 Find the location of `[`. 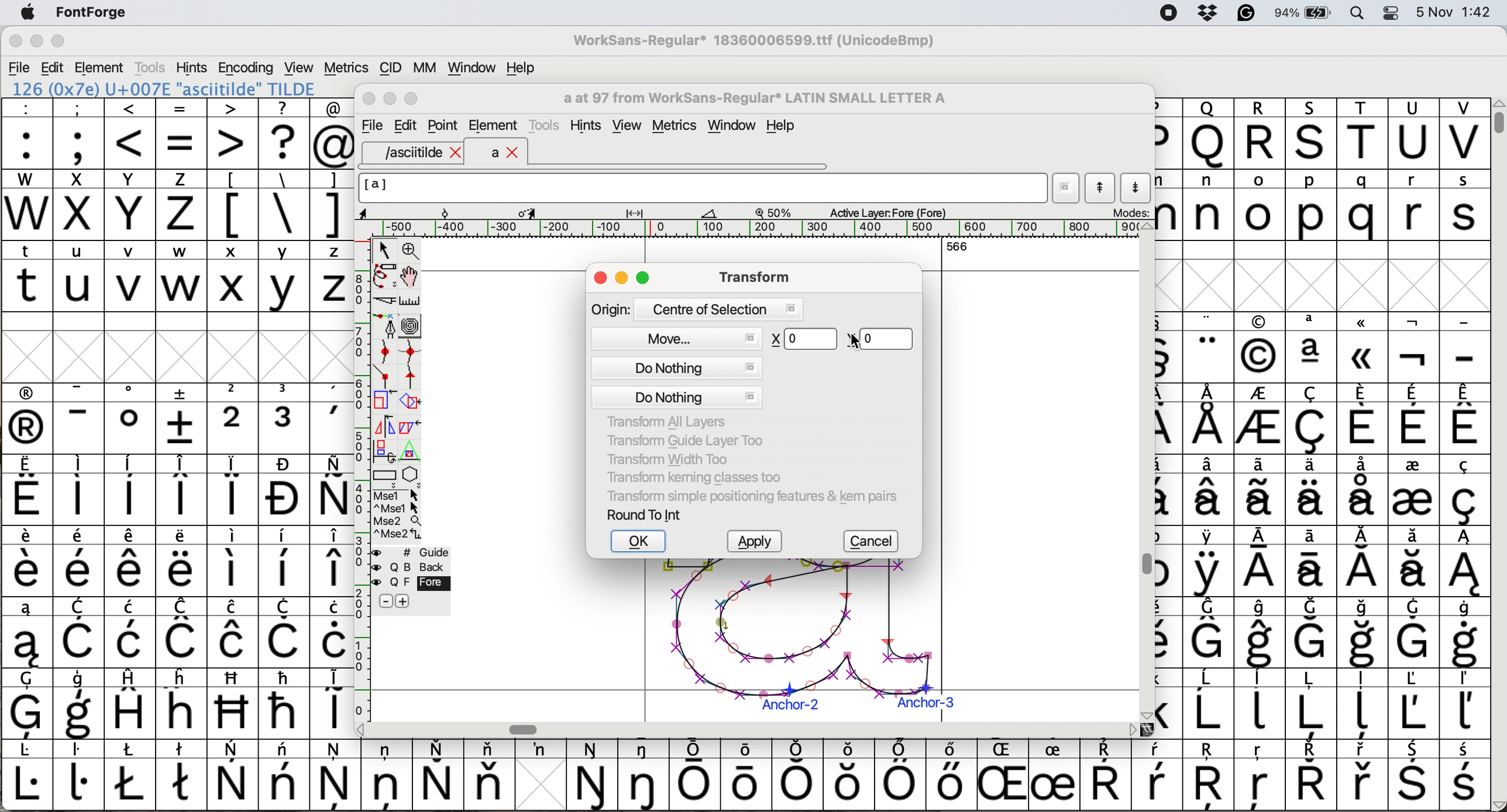

[ is located at coordinates (233, 205).